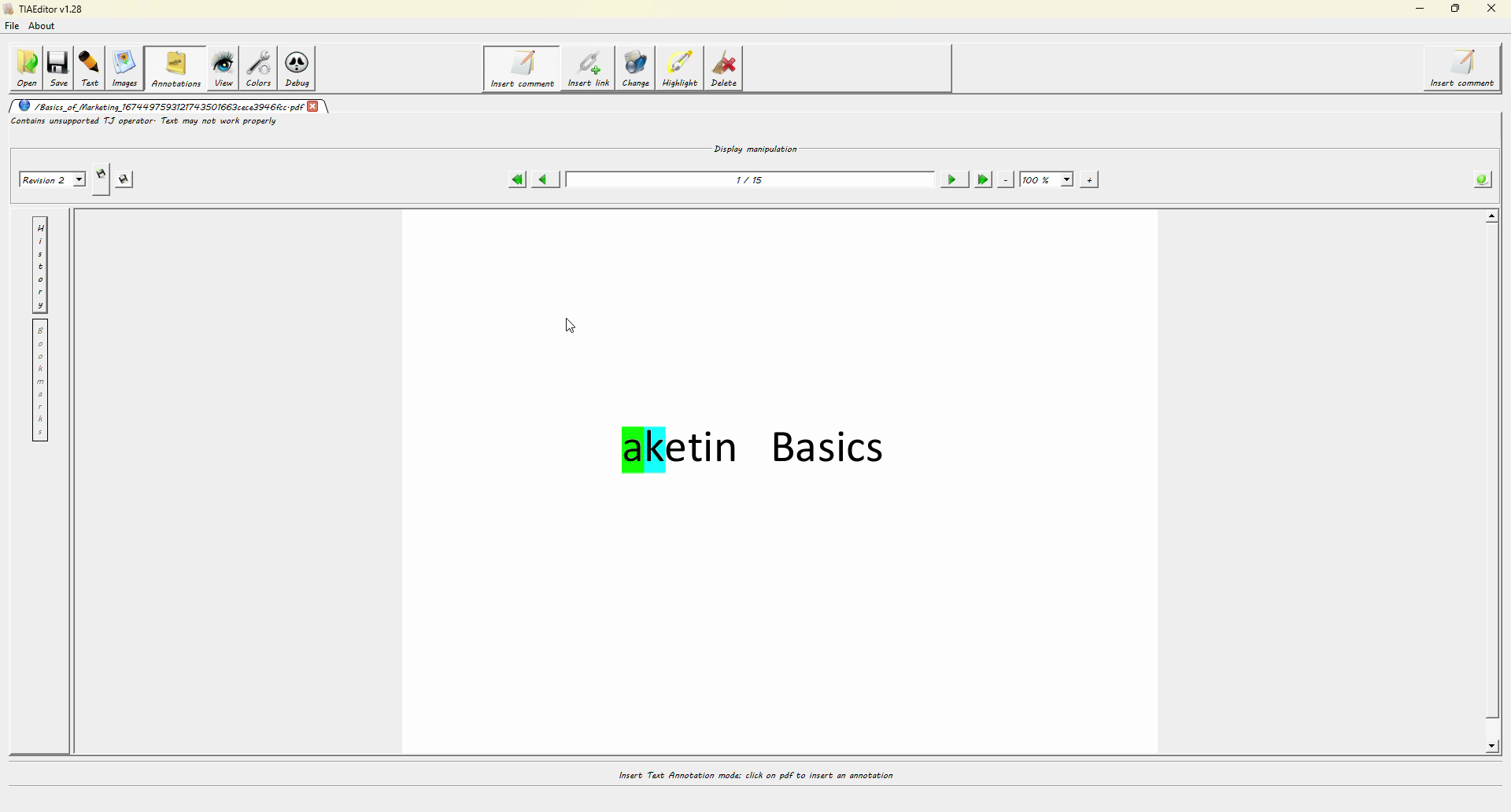 The height and width of the screenshot is (812, 1511). Describe the element at coordinates (40, 264) in the screenshot. I see `history` at that location.